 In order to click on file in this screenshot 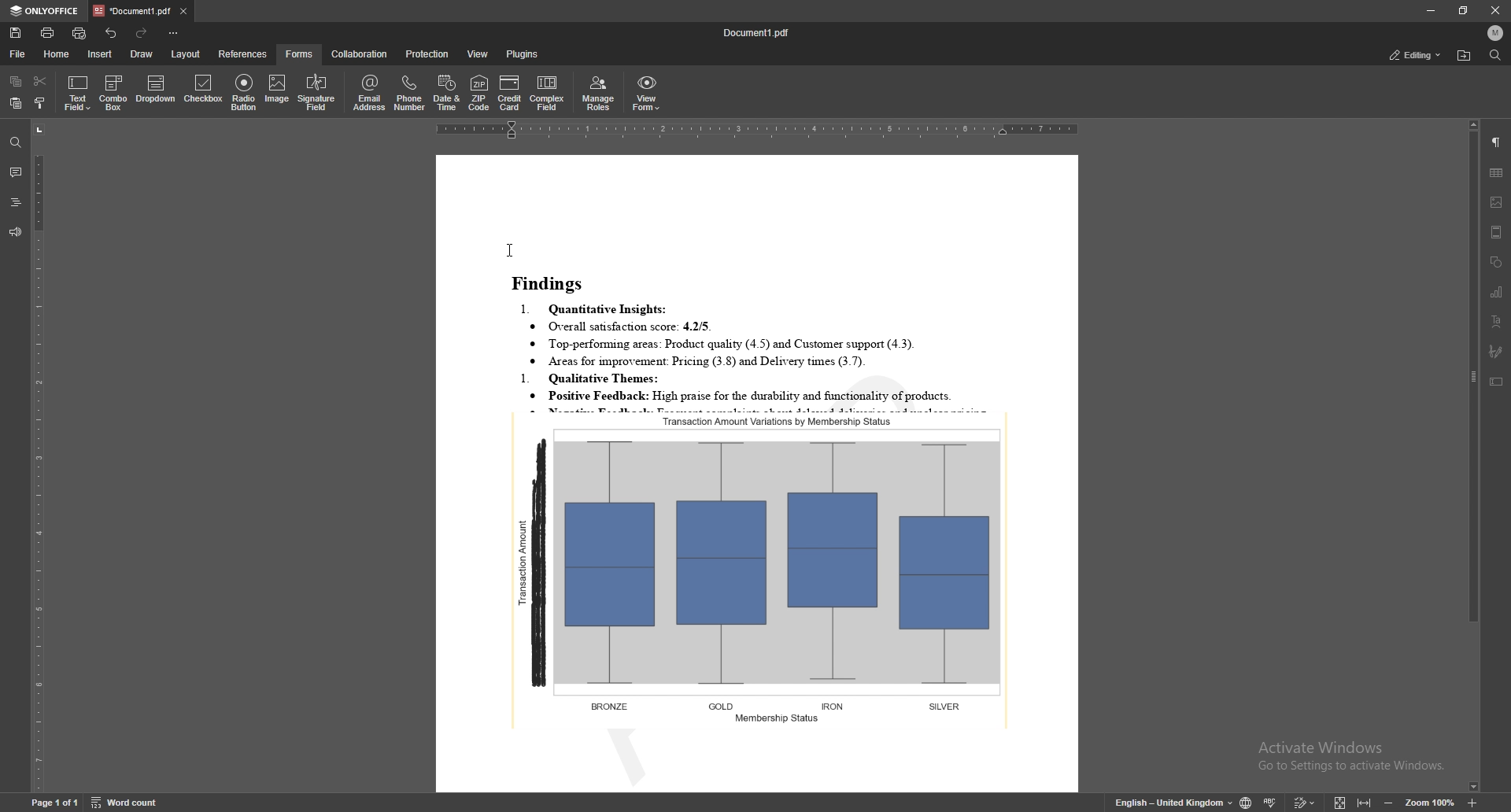, I will do `click(18, 54)`.